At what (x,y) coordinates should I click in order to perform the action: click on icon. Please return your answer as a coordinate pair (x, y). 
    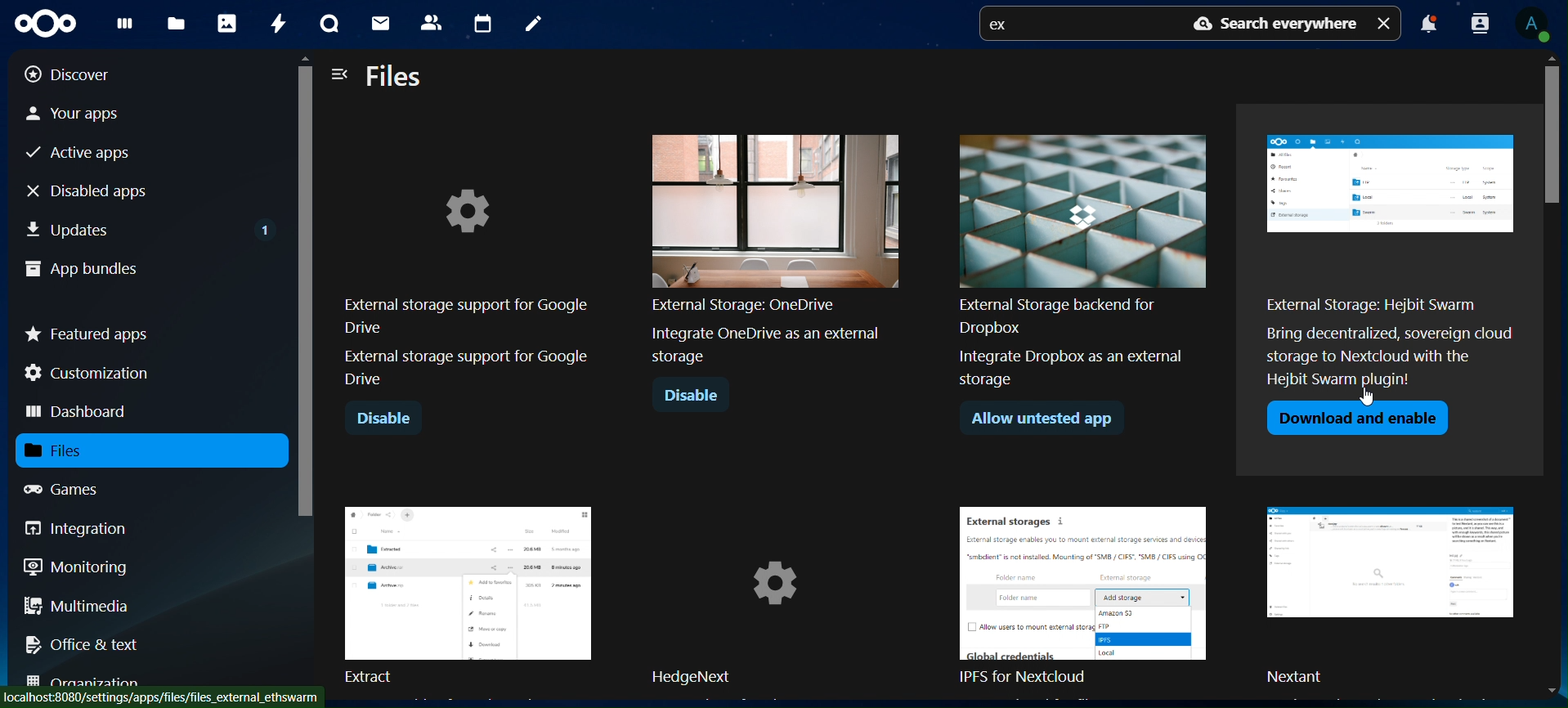
    Looking at the image, I should click on (52, 24).